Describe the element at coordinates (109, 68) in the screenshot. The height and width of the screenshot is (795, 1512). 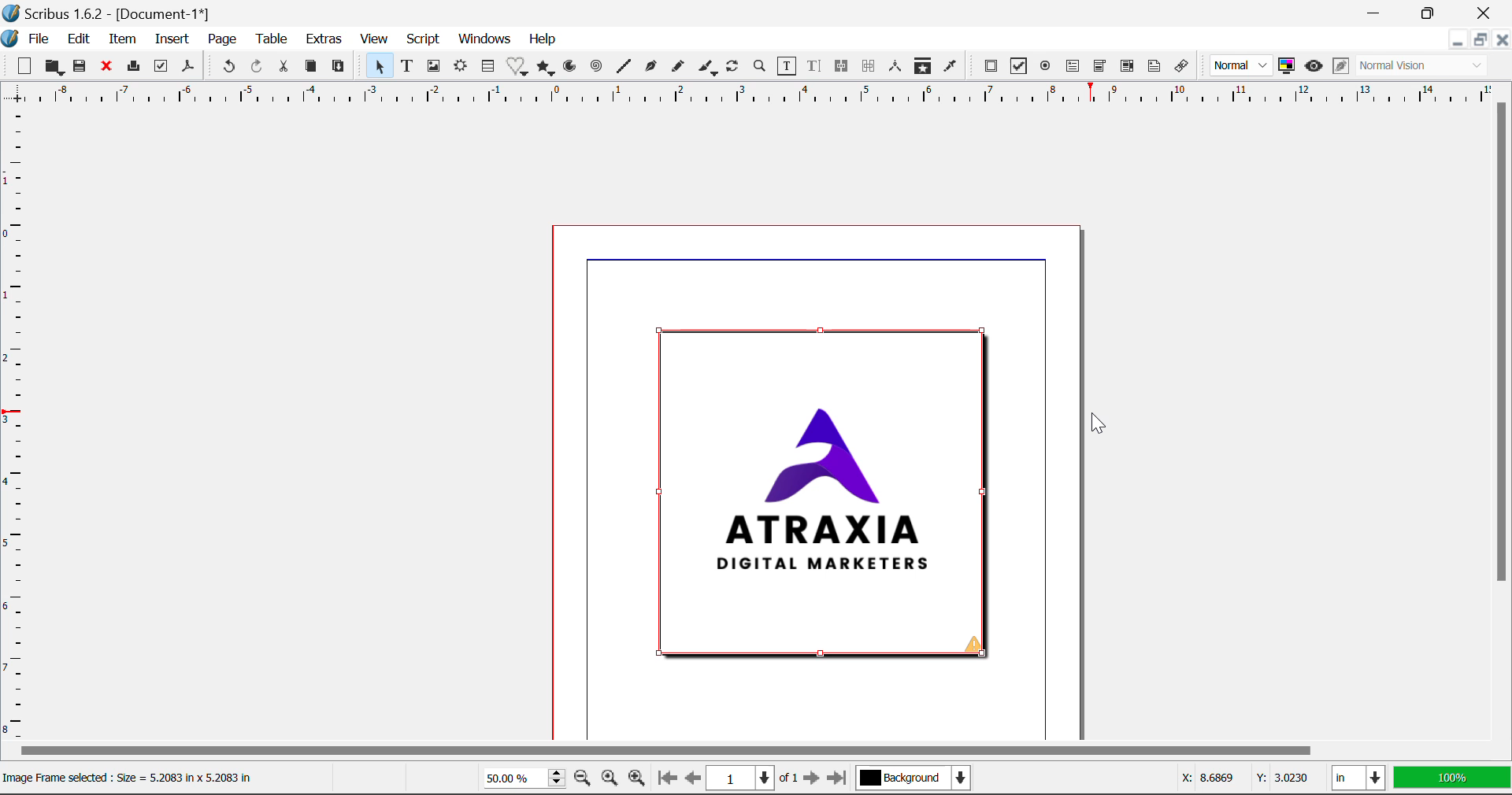
I see `Discard` at that location.